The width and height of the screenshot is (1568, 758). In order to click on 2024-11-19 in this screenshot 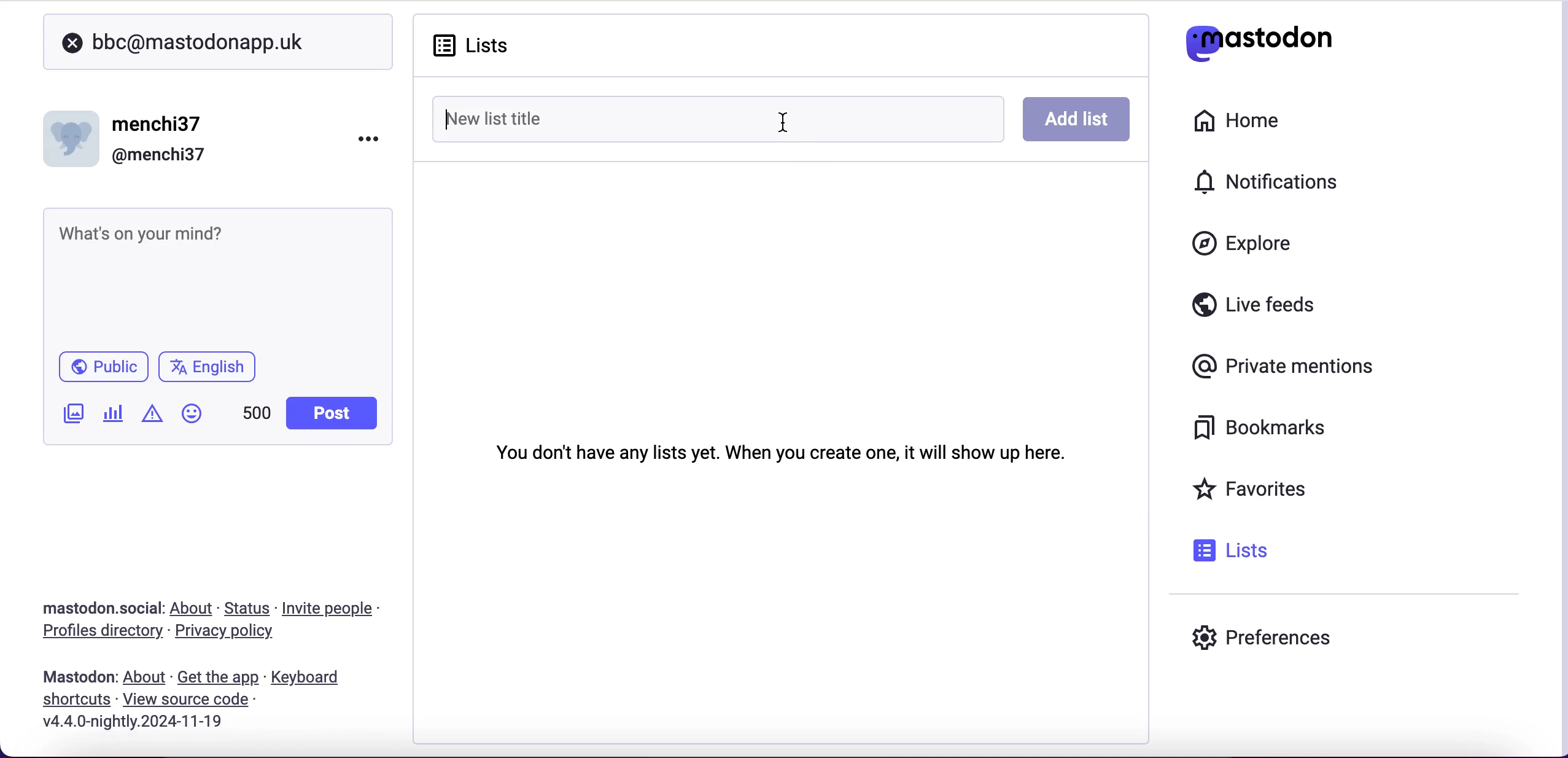, I will do `click(142, 721)`.